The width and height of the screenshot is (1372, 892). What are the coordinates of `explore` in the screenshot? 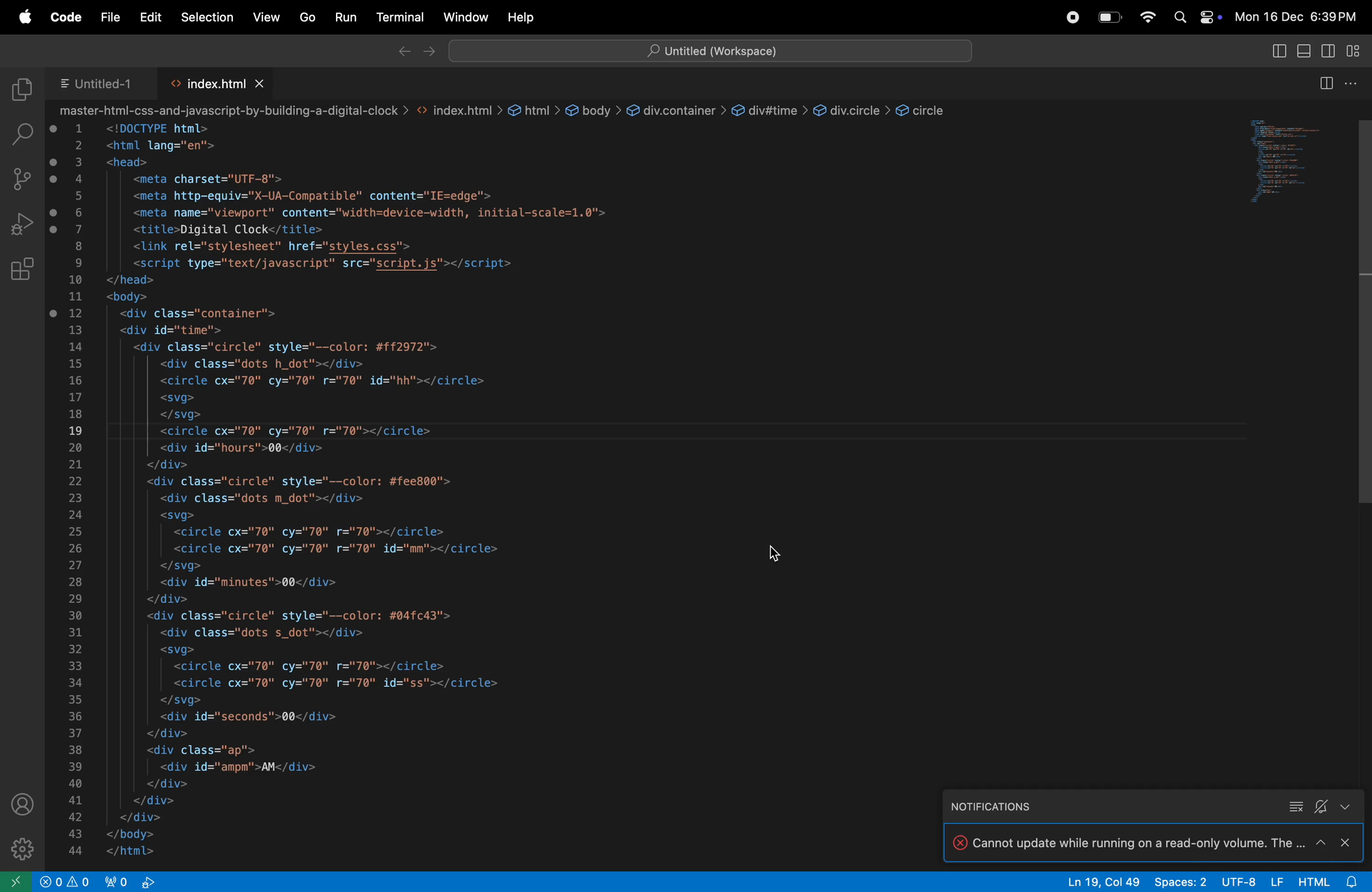 It's located at (20, 90).